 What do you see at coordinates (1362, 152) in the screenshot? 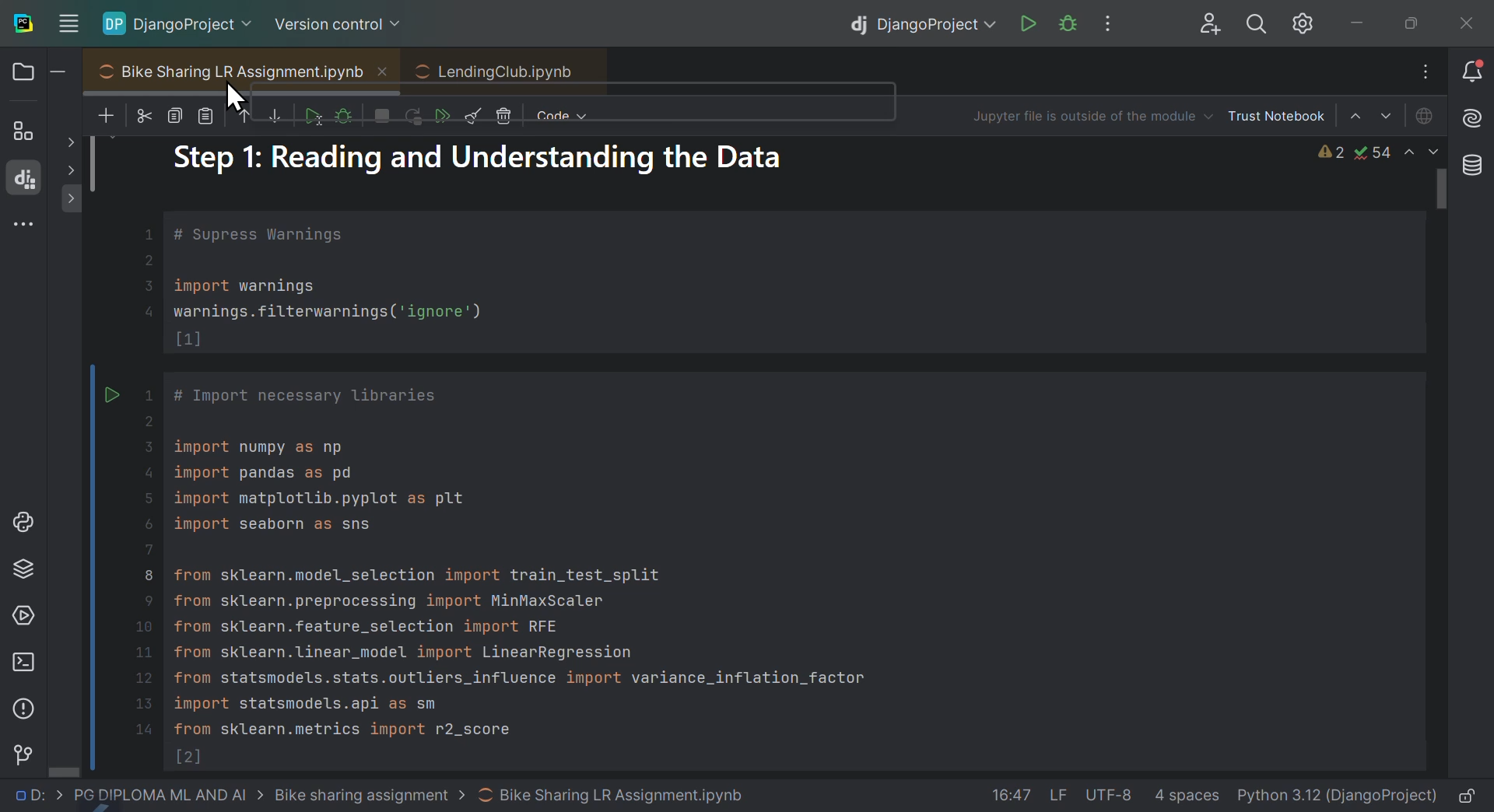
I see `Warnings and issues` at bounding box center [1362, 152].